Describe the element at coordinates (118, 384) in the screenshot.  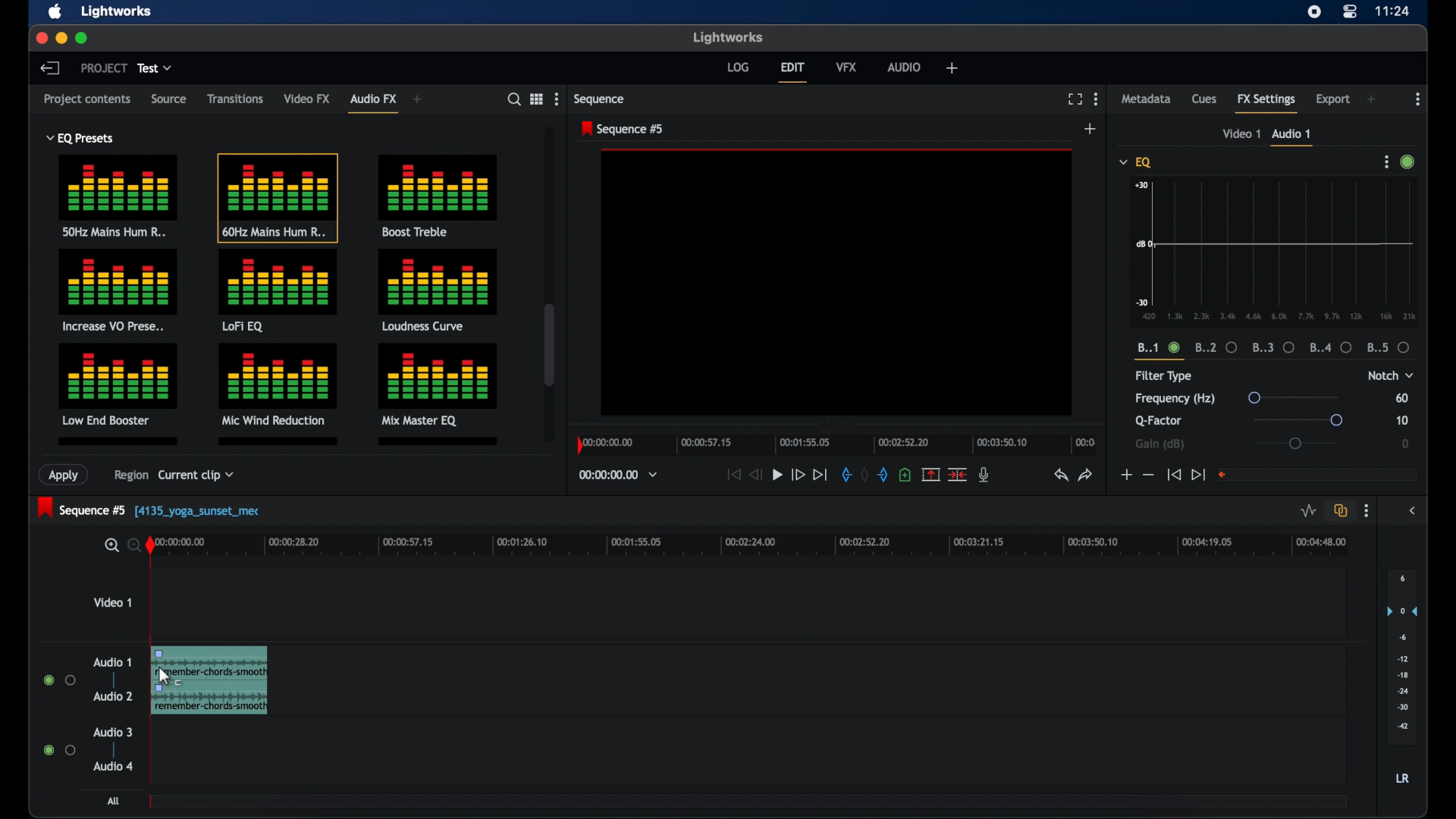
I see `low end booster` at that location.